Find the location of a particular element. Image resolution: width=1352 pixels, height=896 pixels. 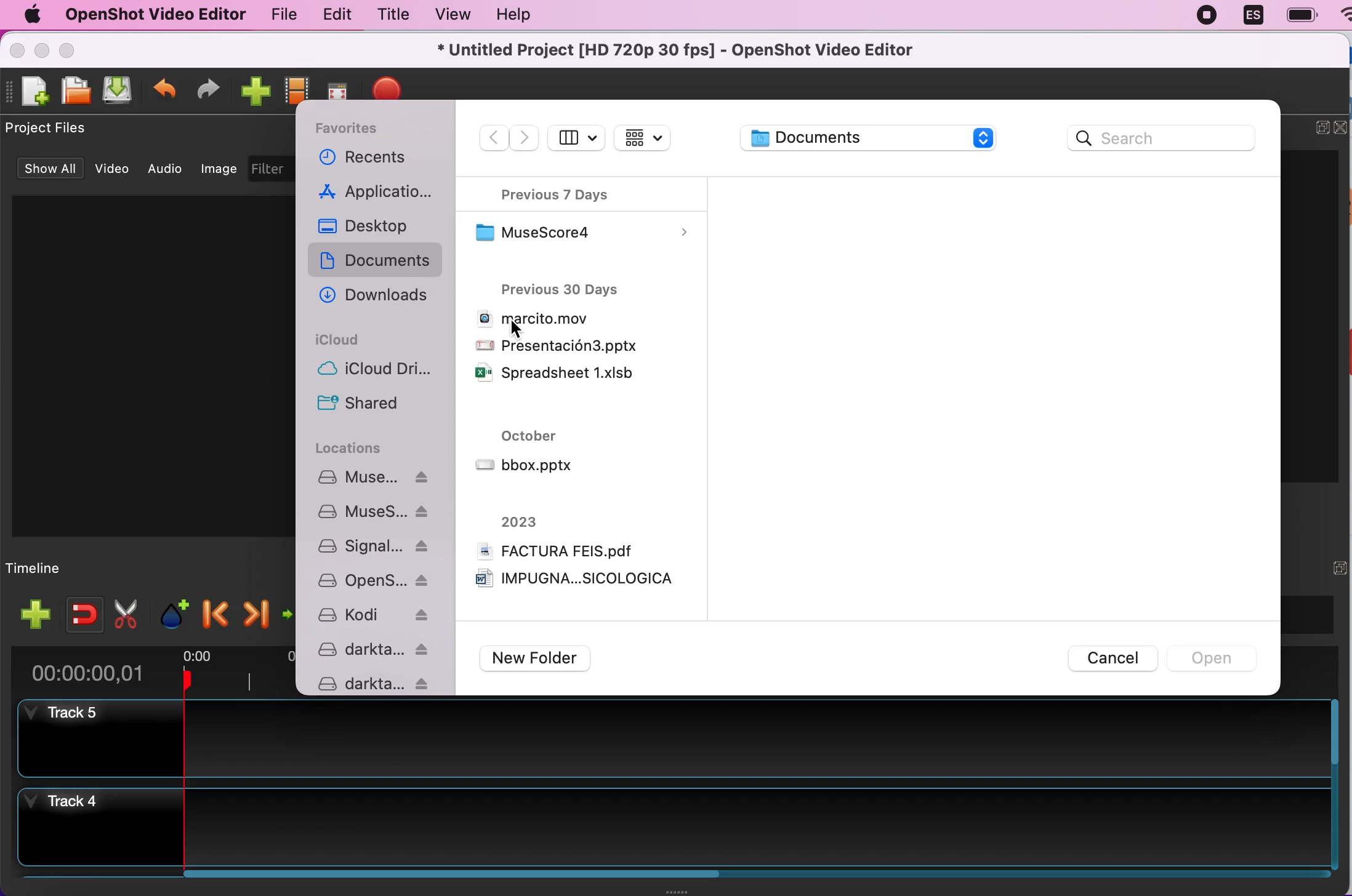

forward is located at coordinates (526, 138).